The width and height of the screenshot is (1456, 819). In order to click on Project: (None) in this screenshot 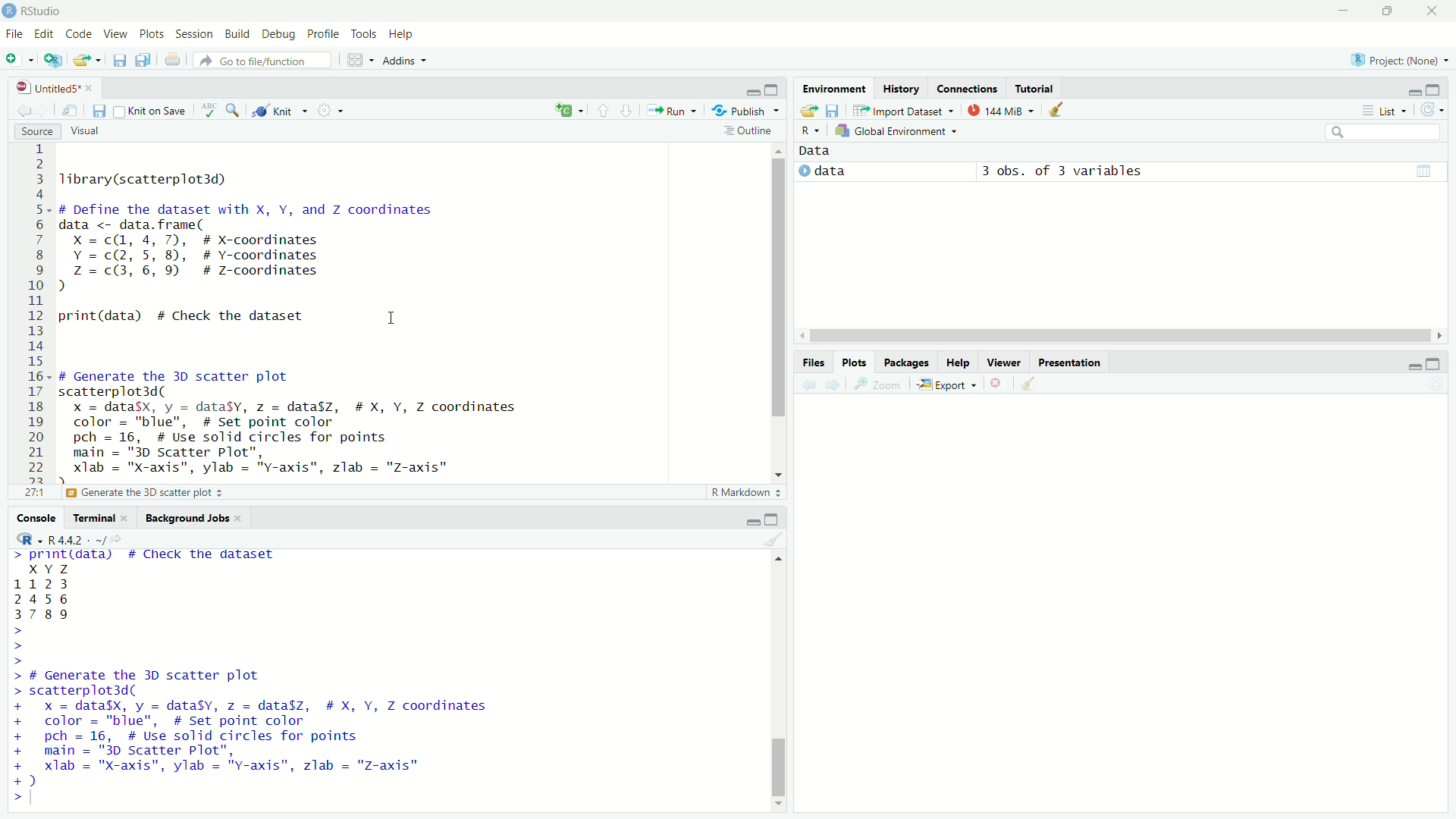, I will do `click(1400, 60)`.